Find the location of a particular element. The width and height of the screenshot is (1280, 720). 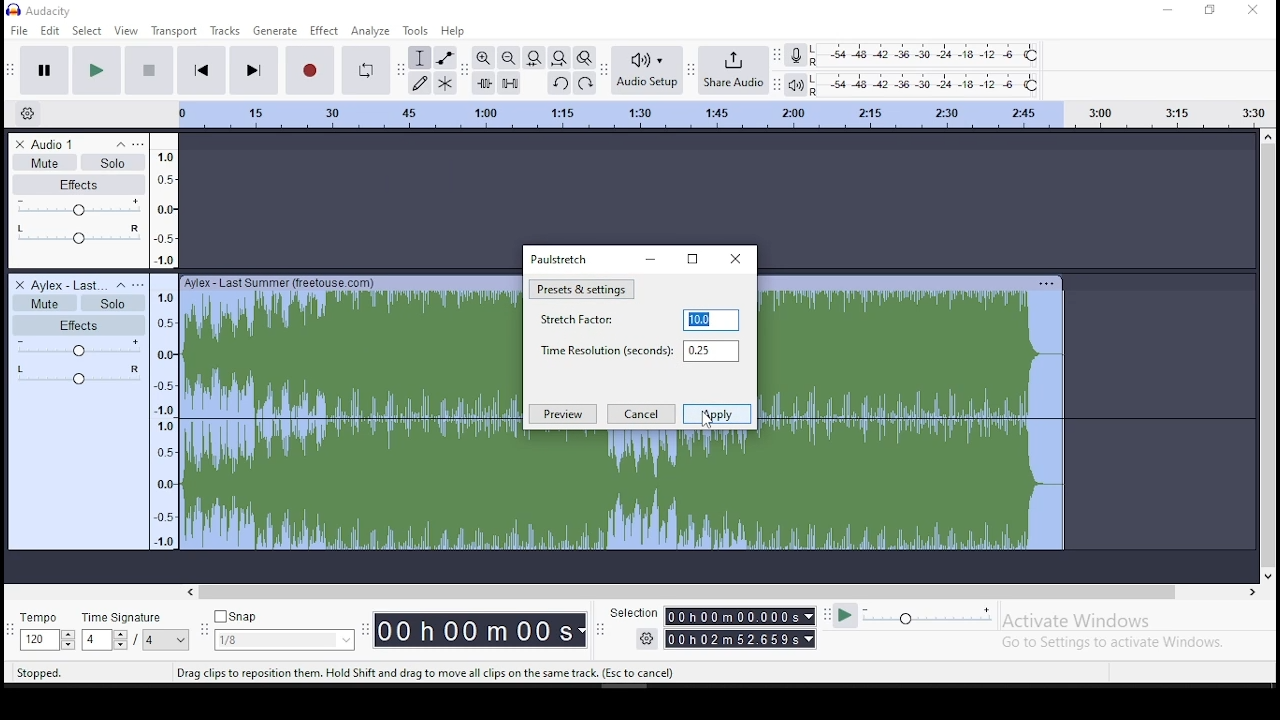

stop is located at coordinates (150, 70).